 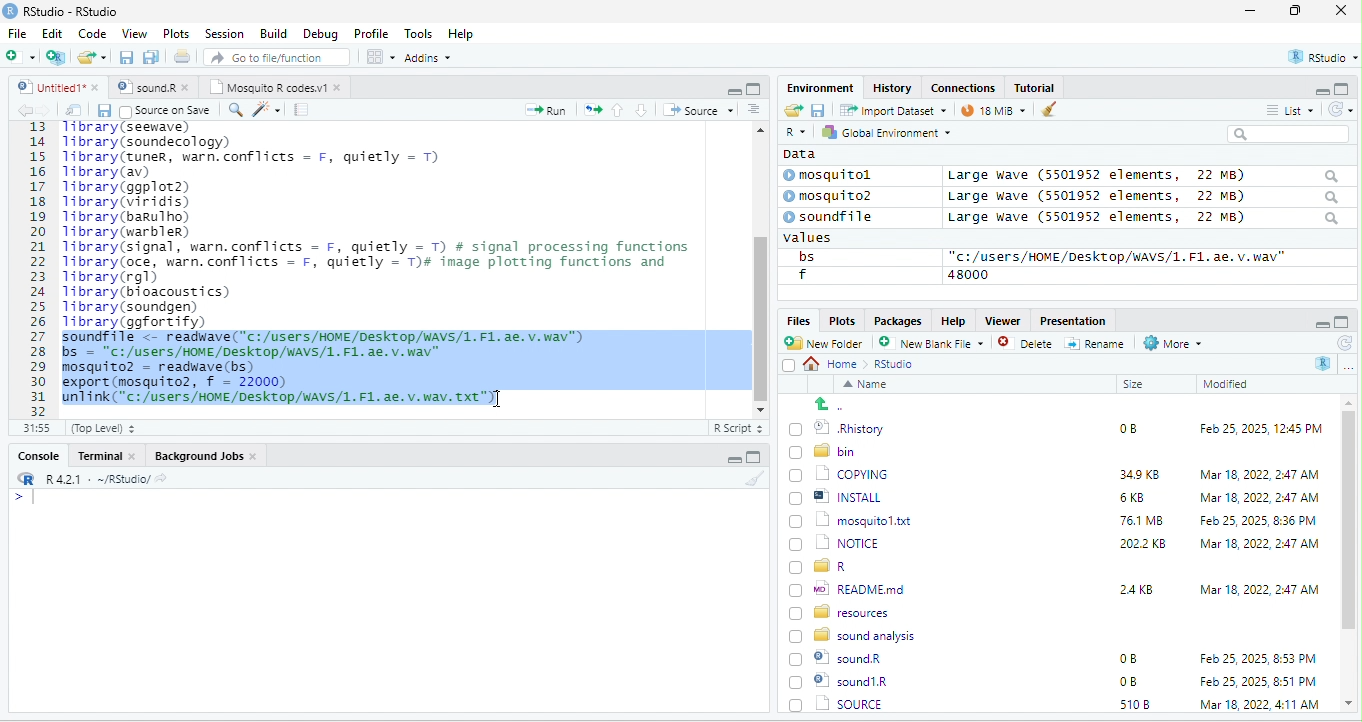 What do you see at coordinates (1319, 58) in the screenshot?
I see `rstudio` at bounding box center [1319, 58].